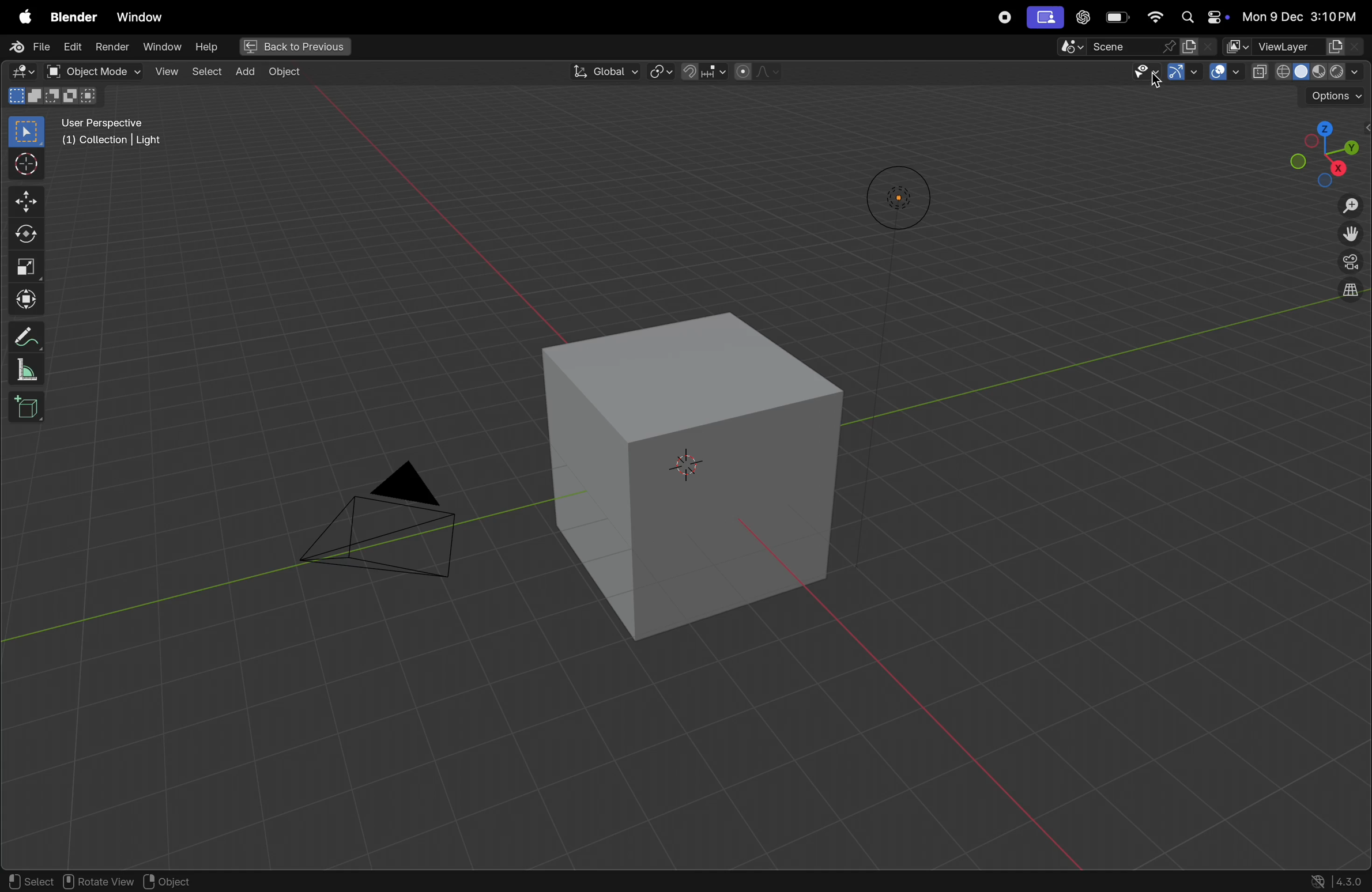 The image size is (1372, 892). I want to click on global, so click(601, 71).